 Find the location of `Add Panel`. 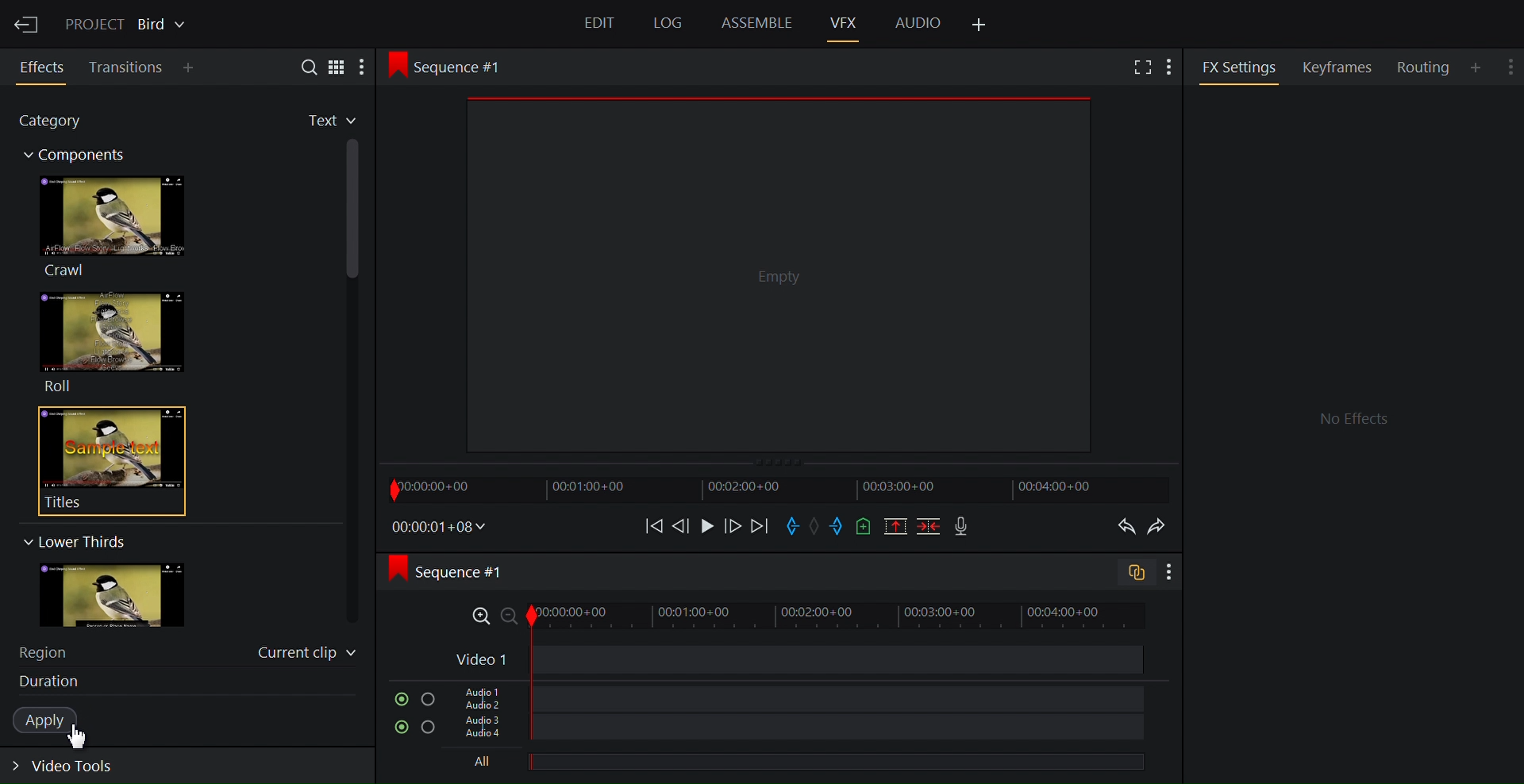

Add Panel is located at coordinates (1478, 67).